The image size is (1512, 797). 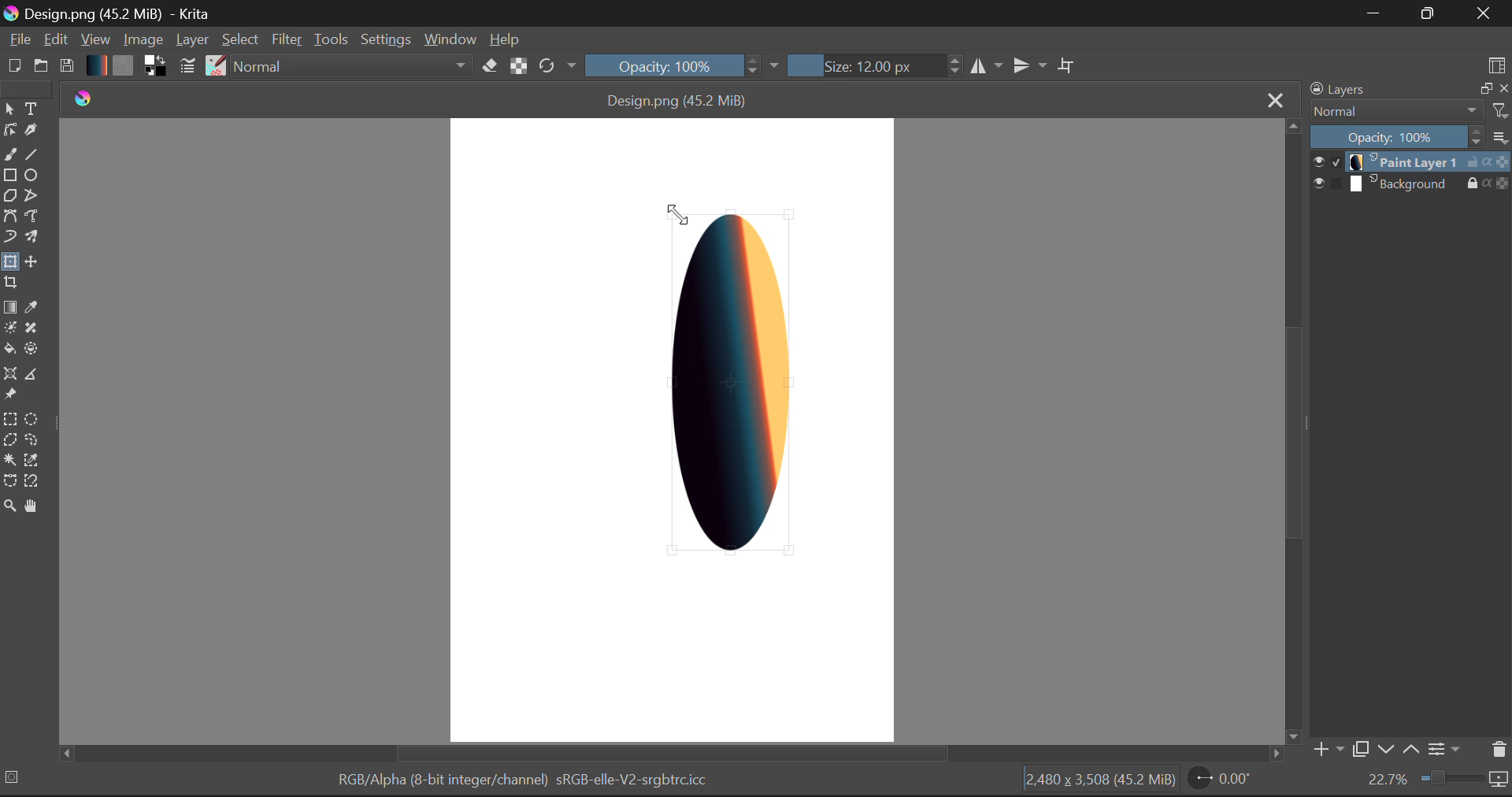 What do you see at coordinates (1218, 780) in the screenshot?
I see `Page Rotation` at bounding box center [1218, 780].